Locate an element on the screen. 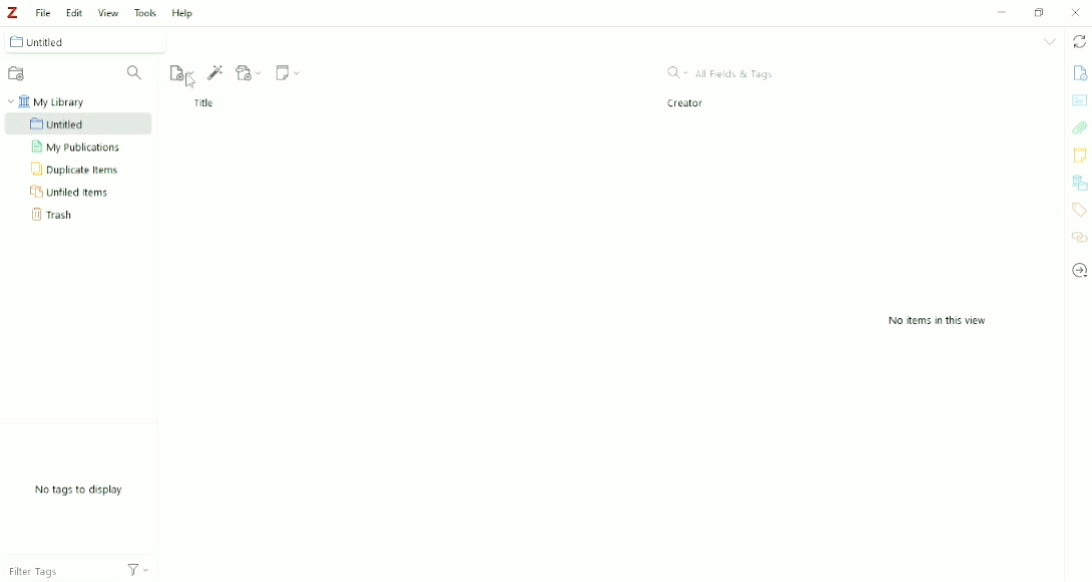 The width and height of the screenshot is (1092, 582). All Fields & Tags is located at coordinates (722, 73).